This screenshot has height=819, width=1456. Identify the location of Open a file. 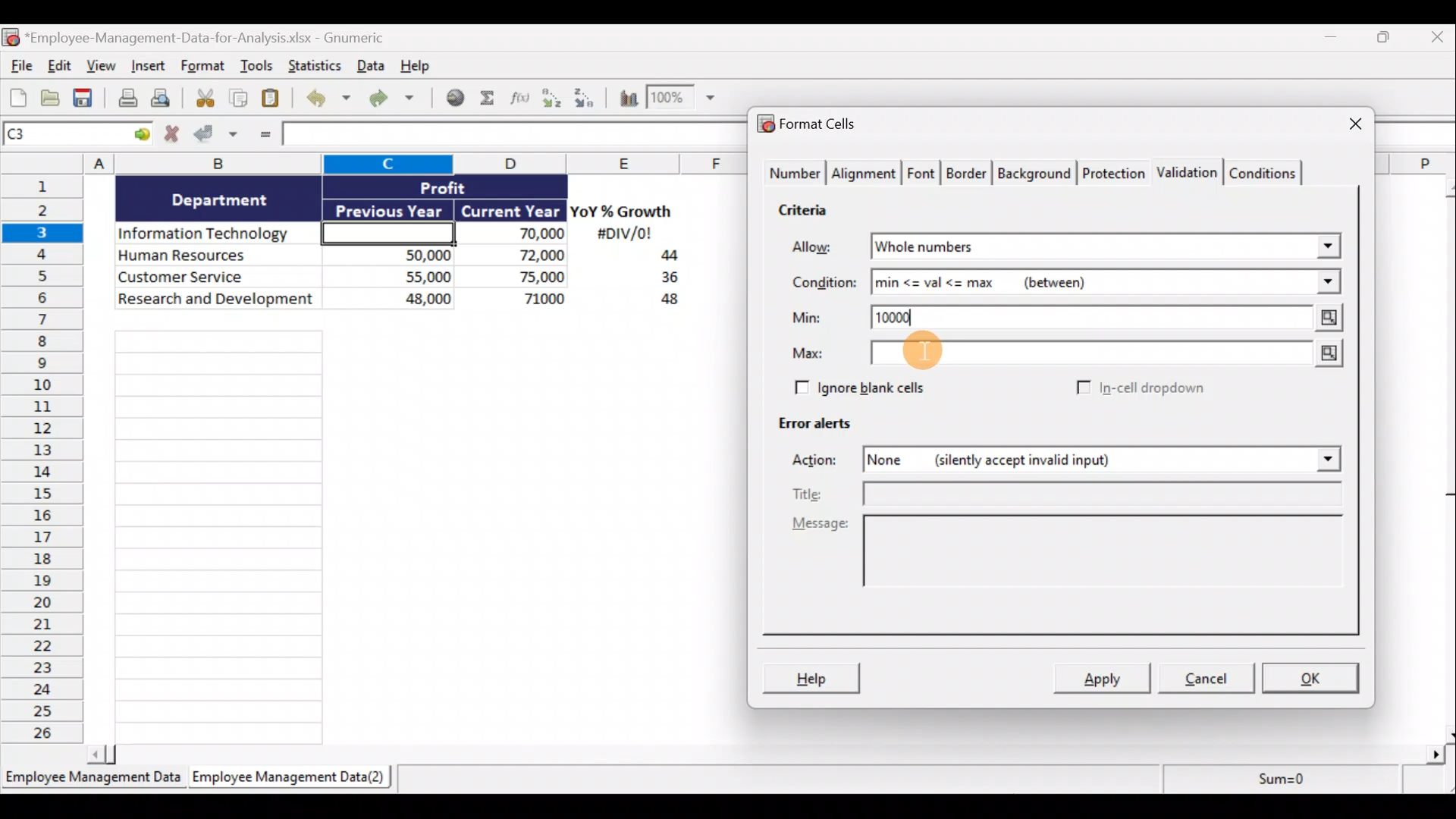
(51, 99).